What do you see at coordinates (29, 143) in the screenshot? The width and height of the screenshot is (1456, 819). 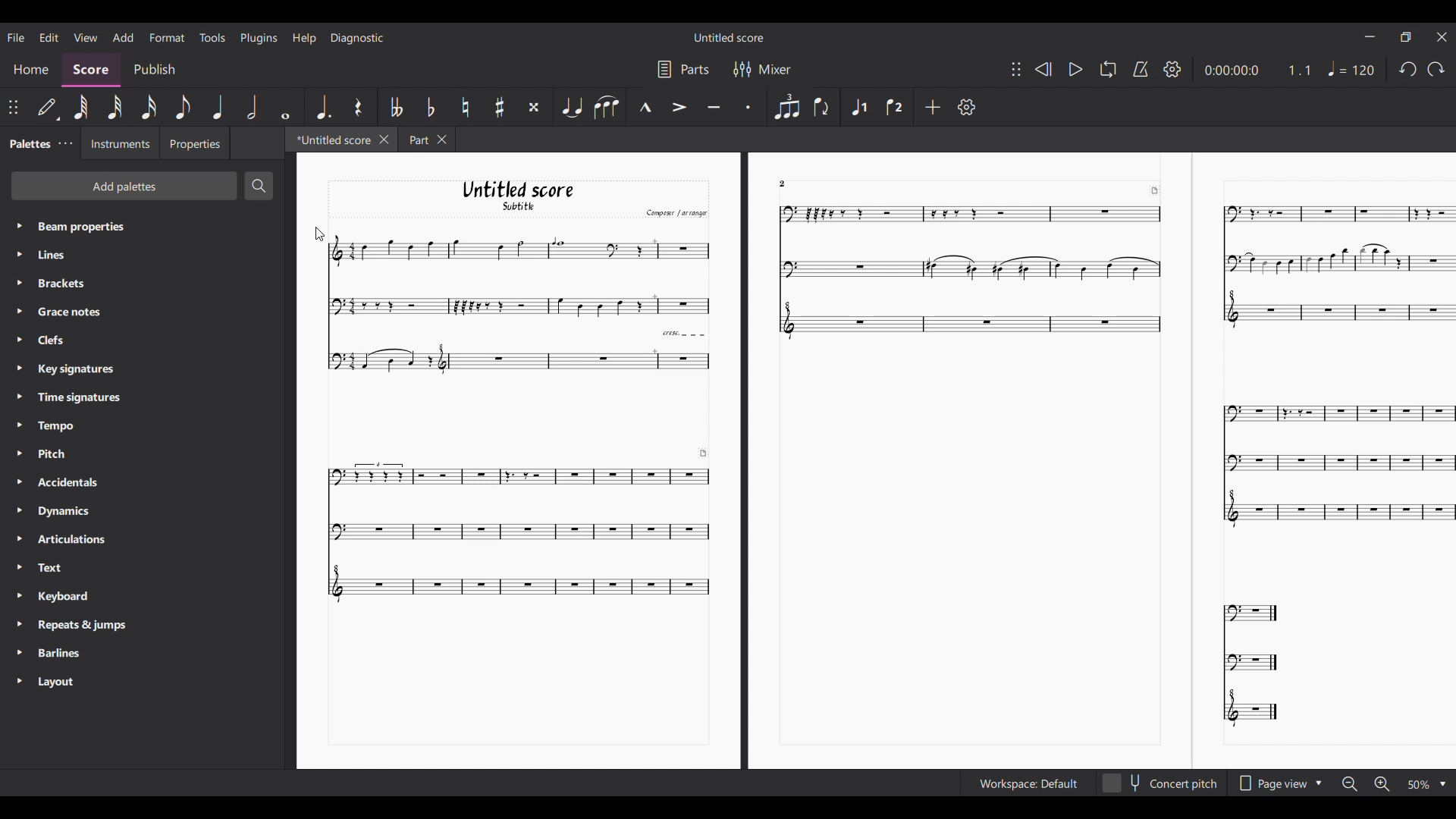 I see `Palette tab` at bounding box center [29, 143].